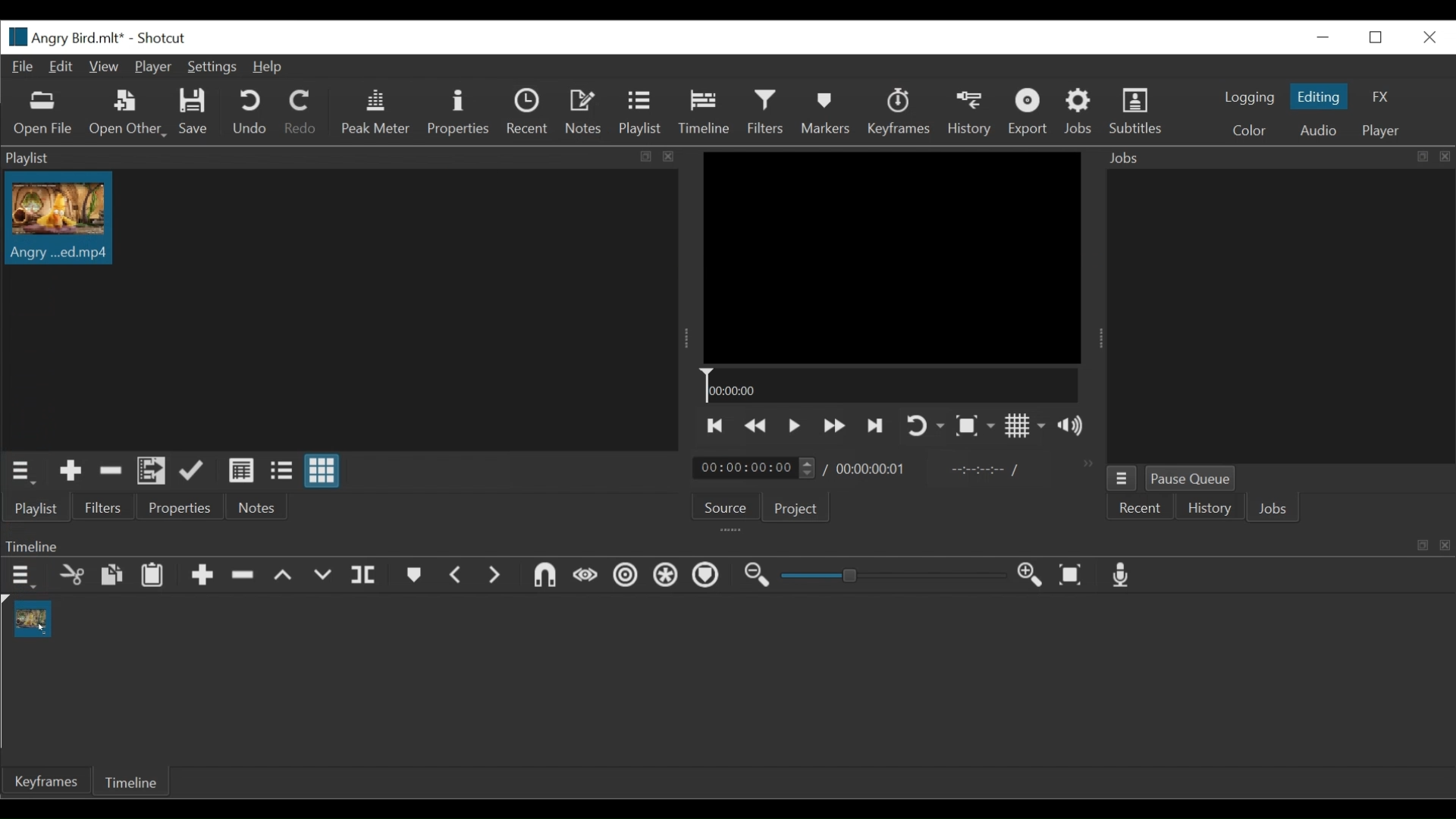 The width and height of the screenshot is (1456, 819). I want to click on Markers, so click(827, 112).